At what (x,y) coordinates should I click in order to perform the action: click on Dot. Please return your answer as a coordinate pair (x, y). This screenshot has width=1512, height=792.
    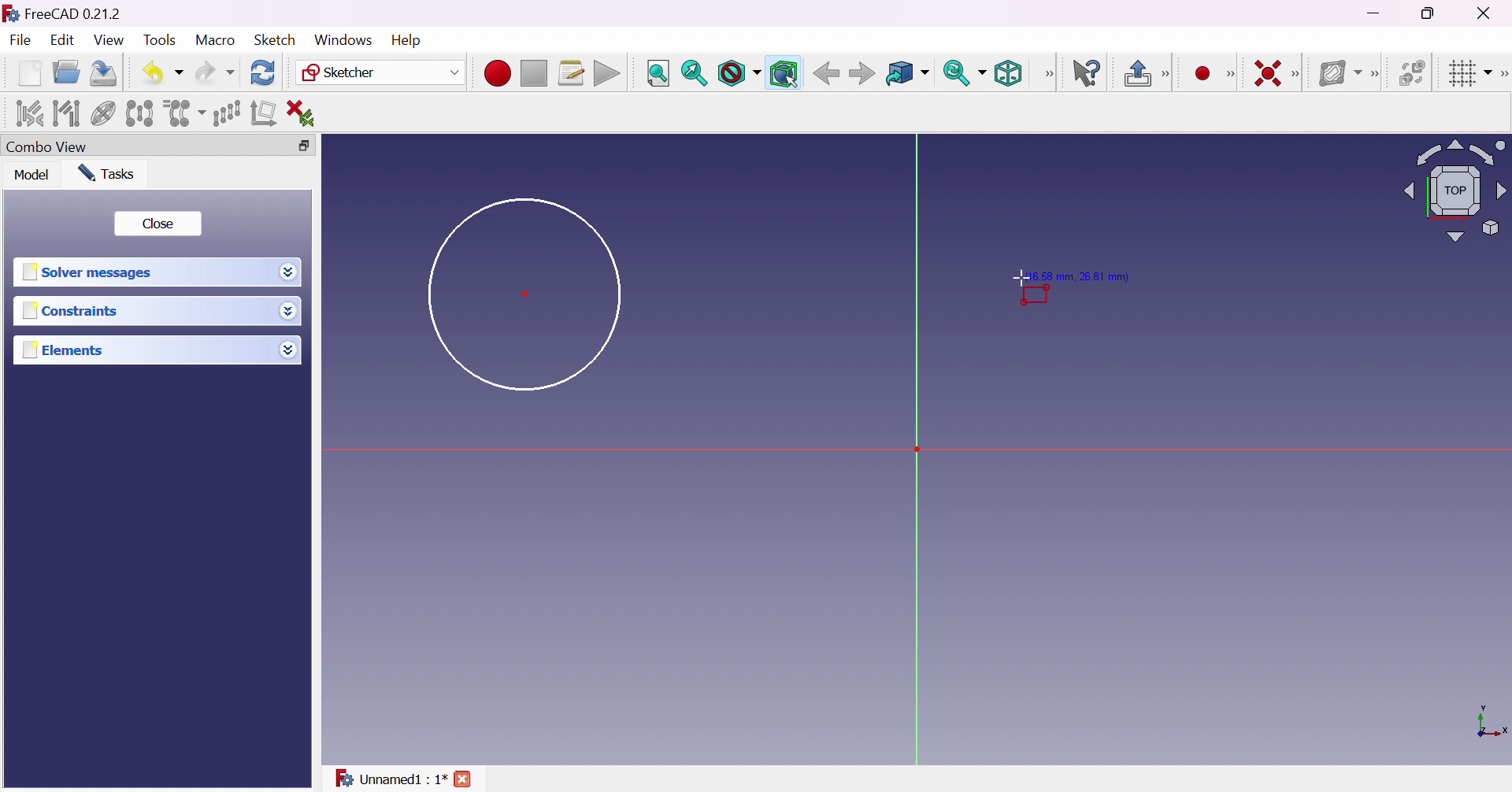
    Looking at the image, I should click on (527, 293).